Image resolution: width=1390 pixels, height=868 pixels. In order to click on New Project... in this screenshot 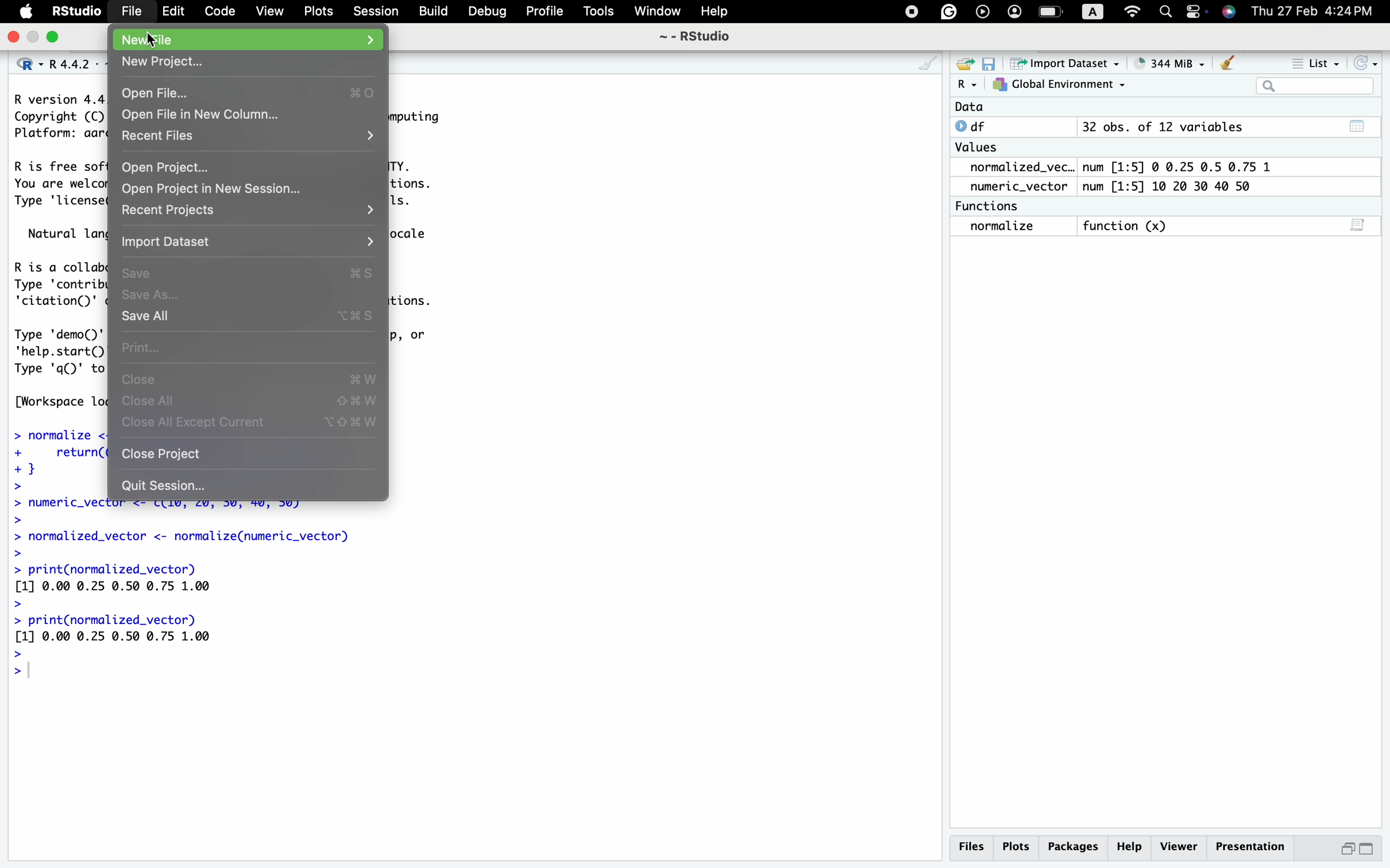, I will do `click(160, 64)`.